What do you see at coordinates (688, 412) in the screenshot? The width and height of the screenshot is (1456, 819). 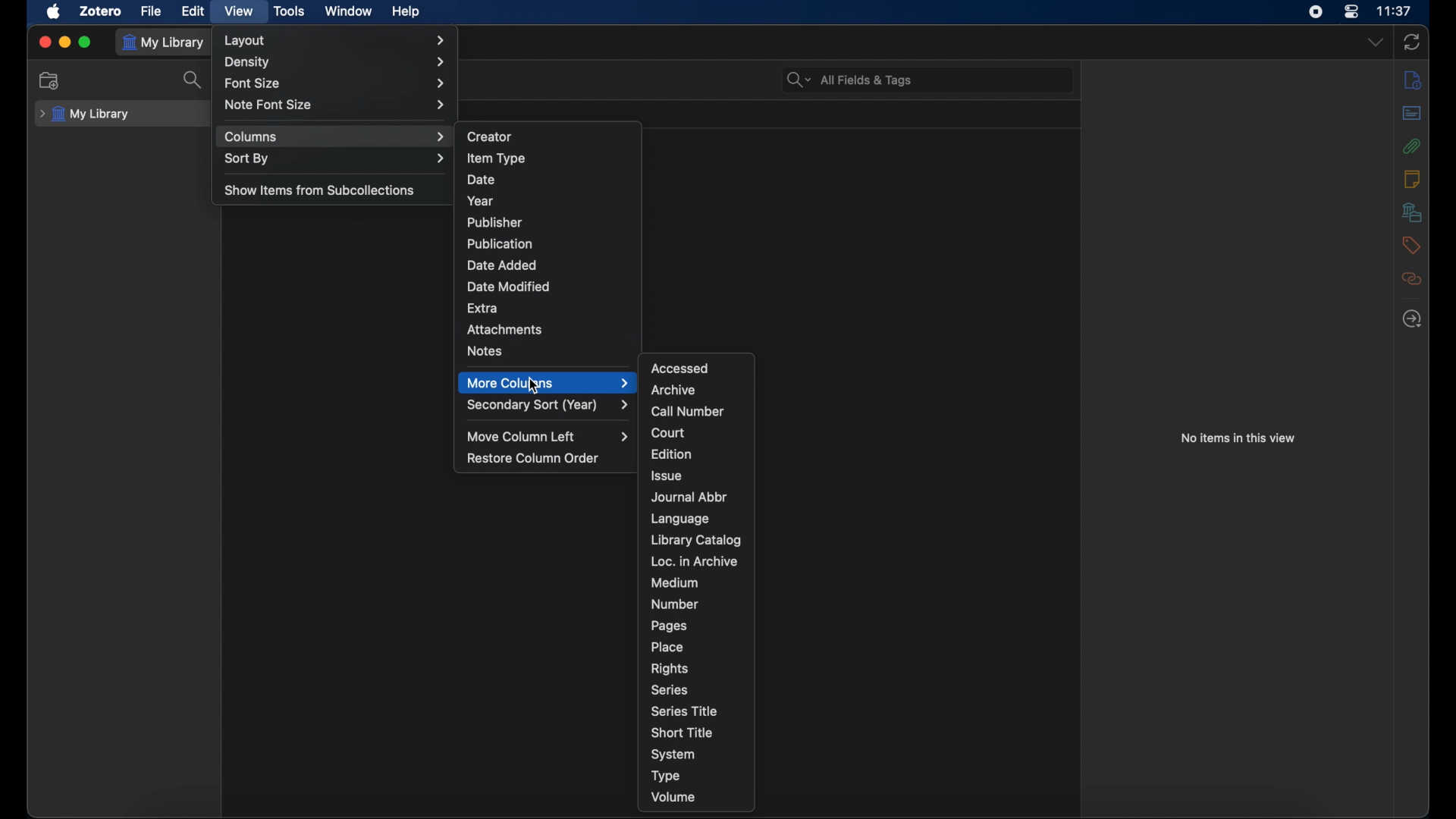 I see `call number` at bounding box center [688, 412].